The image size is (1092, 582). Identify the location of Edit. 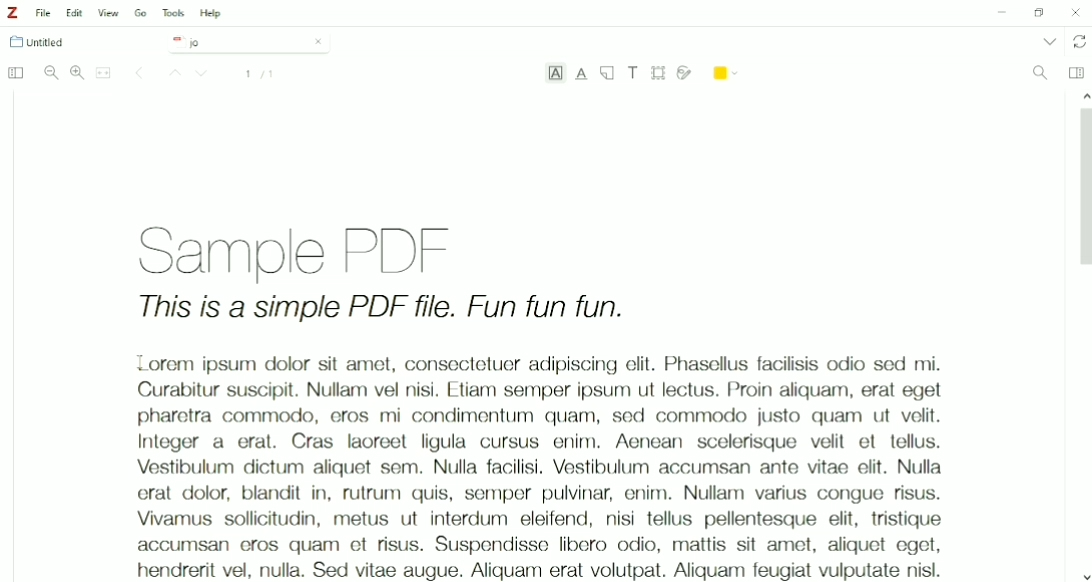
(76, 13).